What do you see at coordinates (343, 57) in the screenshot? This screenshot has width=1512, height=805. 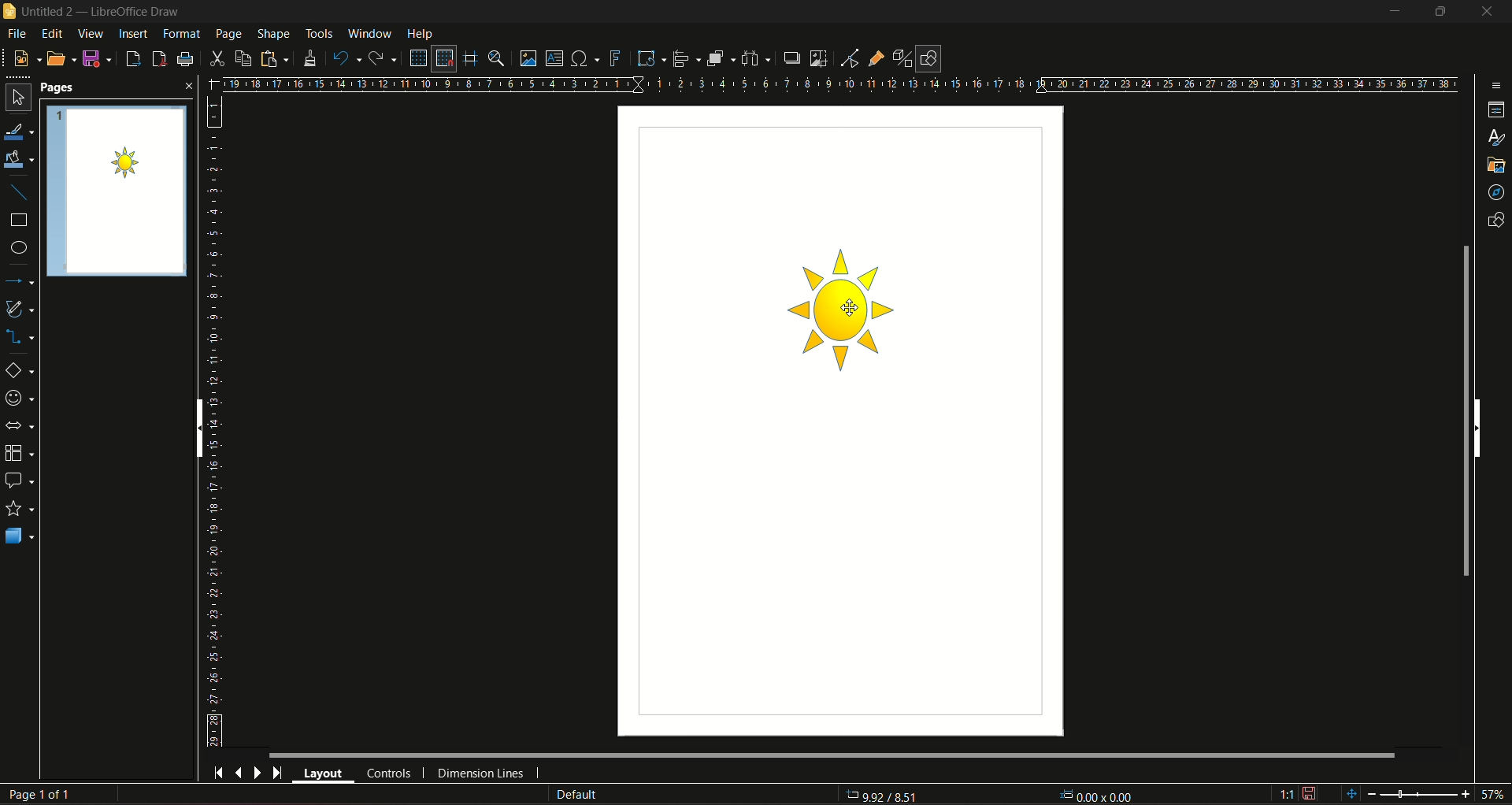 I see `undo` at bounding box center [343, 57].